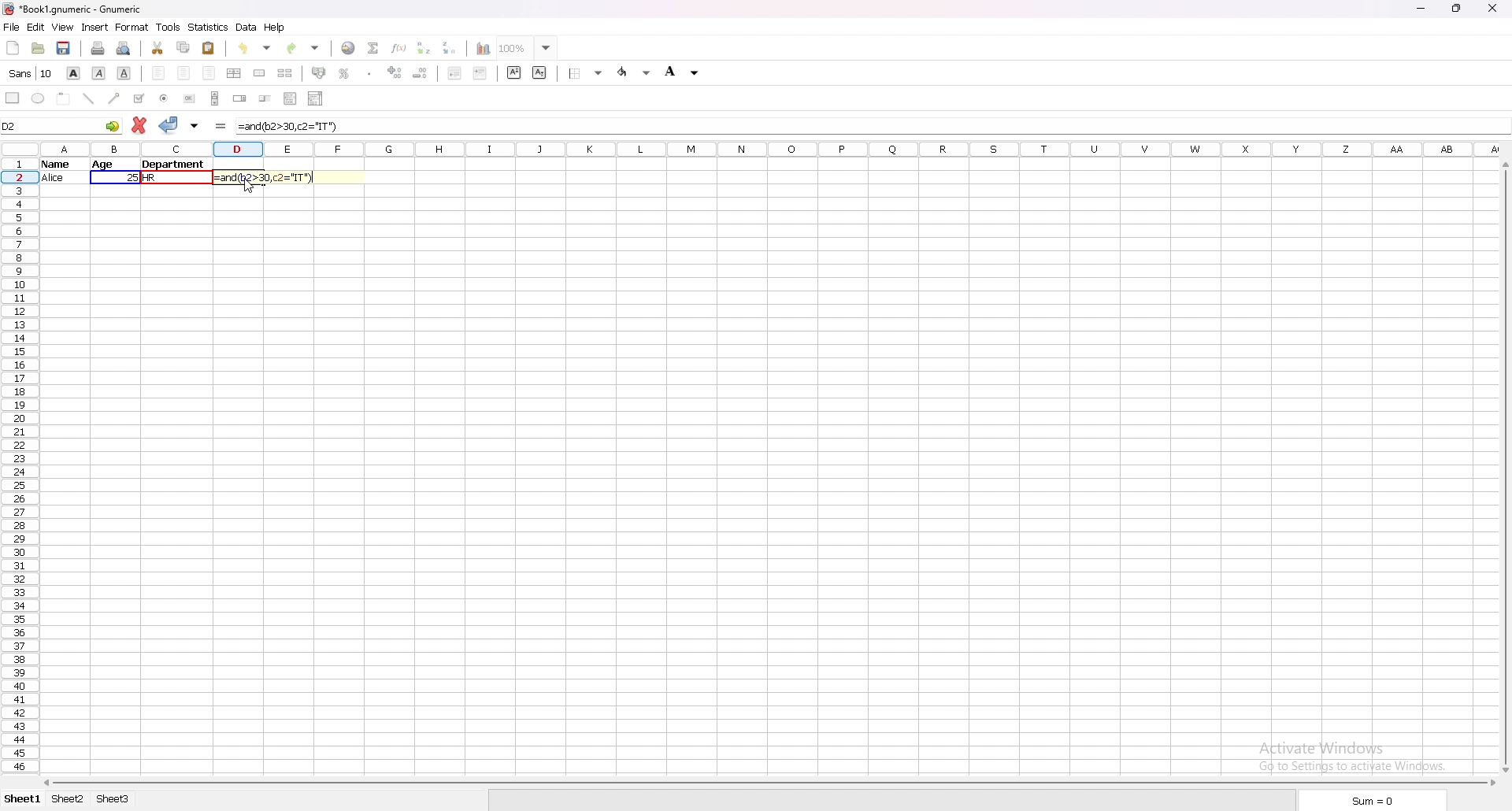 Image resolution: width=1512 pixels, height=811 pixels. I want to click on edit, so click(36, 27).